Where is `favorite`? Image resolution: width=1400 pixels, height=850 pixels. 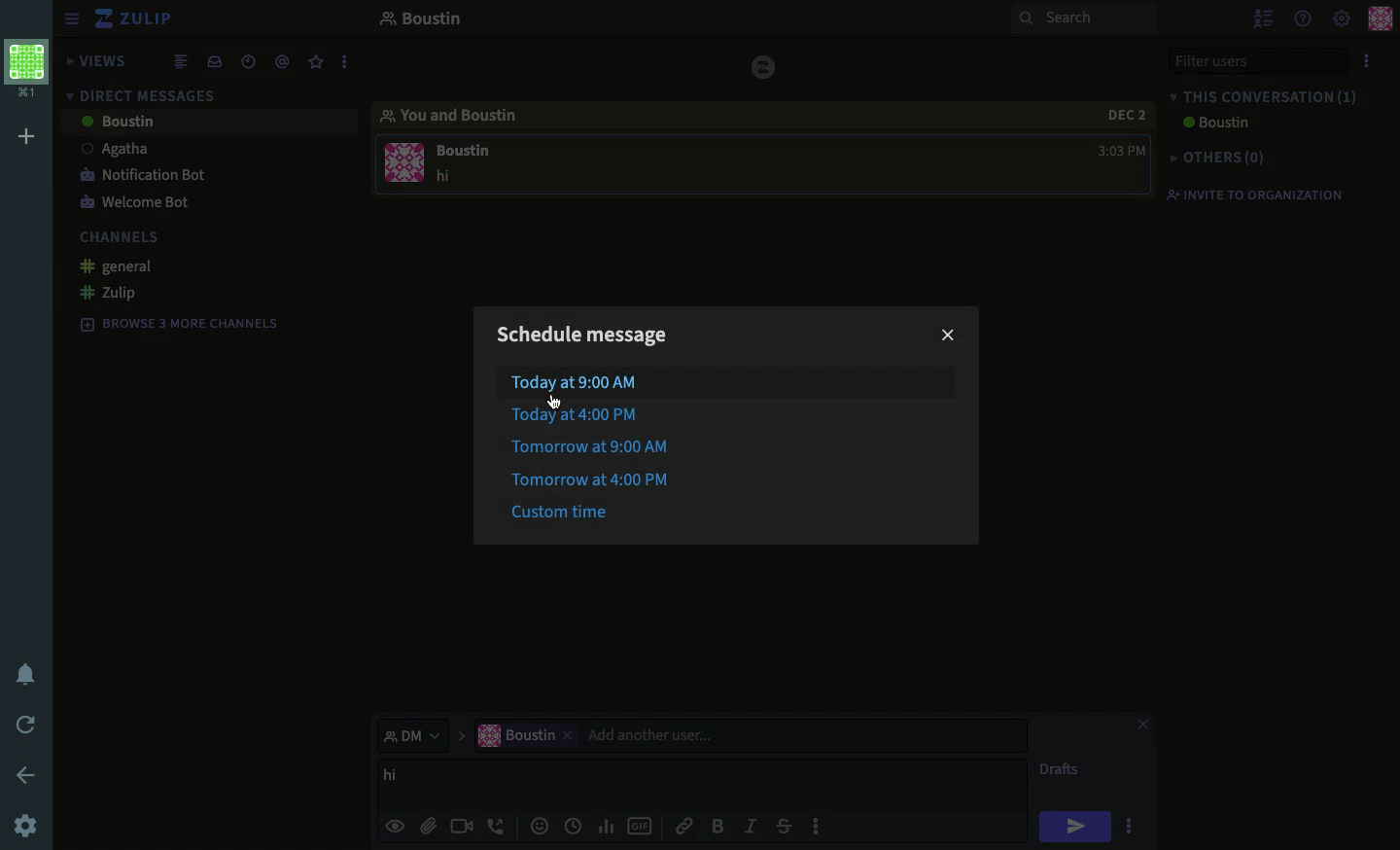
favorite is located at coordinates (316, 61).